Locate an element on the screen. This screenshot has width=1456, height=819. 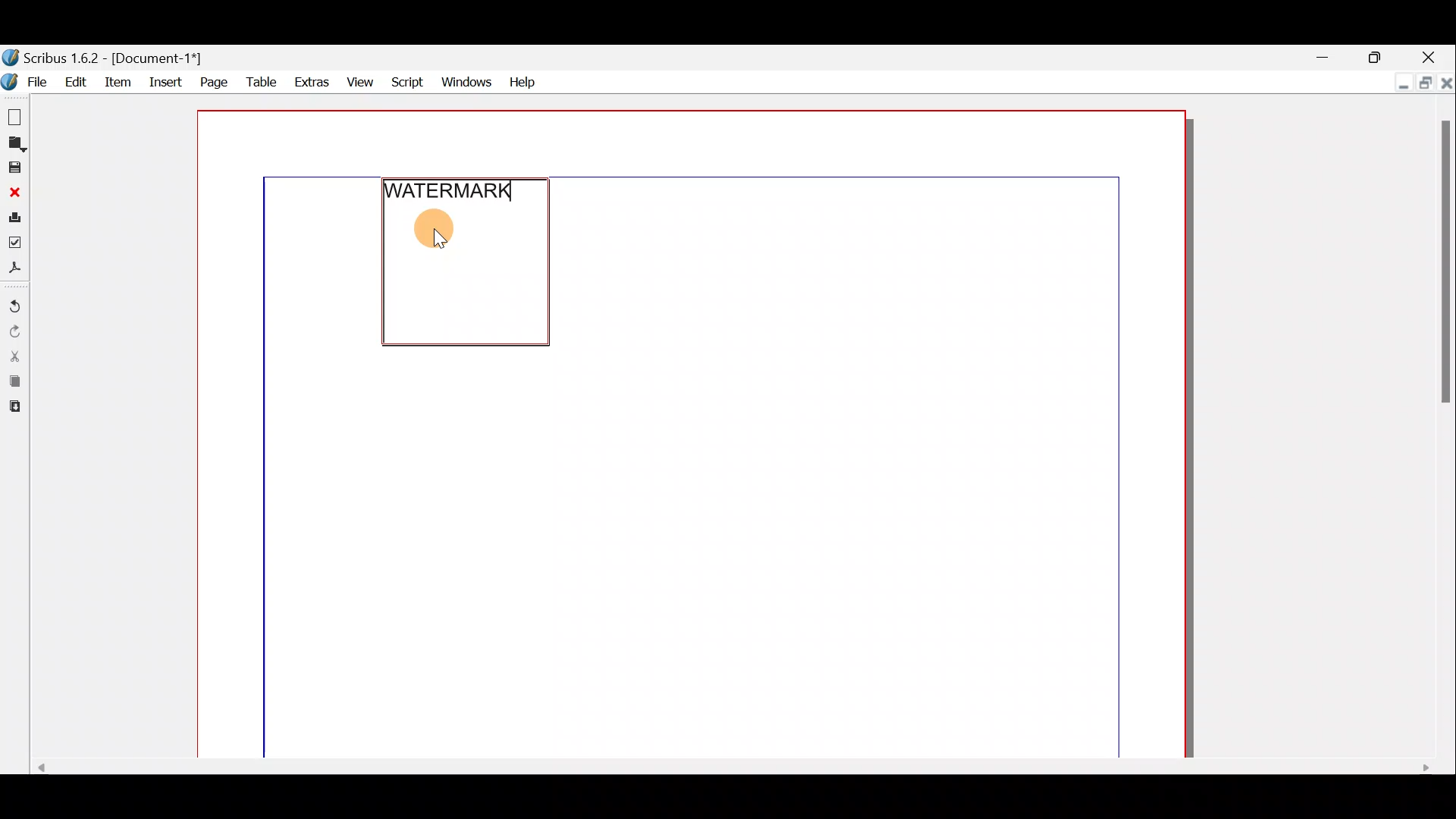
Print is located at coordinates (14, 220).